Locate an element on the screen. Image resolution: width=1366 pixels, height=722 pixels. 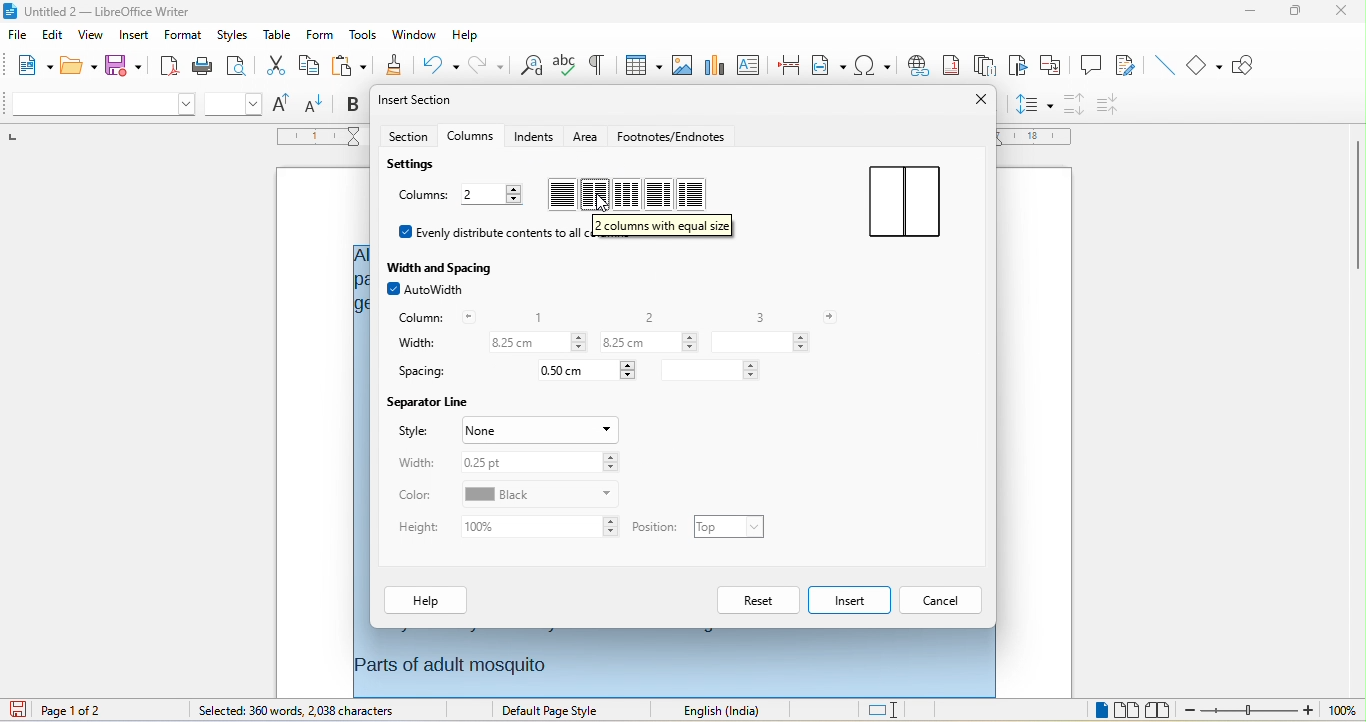
image is located at coordinates (683, 64).